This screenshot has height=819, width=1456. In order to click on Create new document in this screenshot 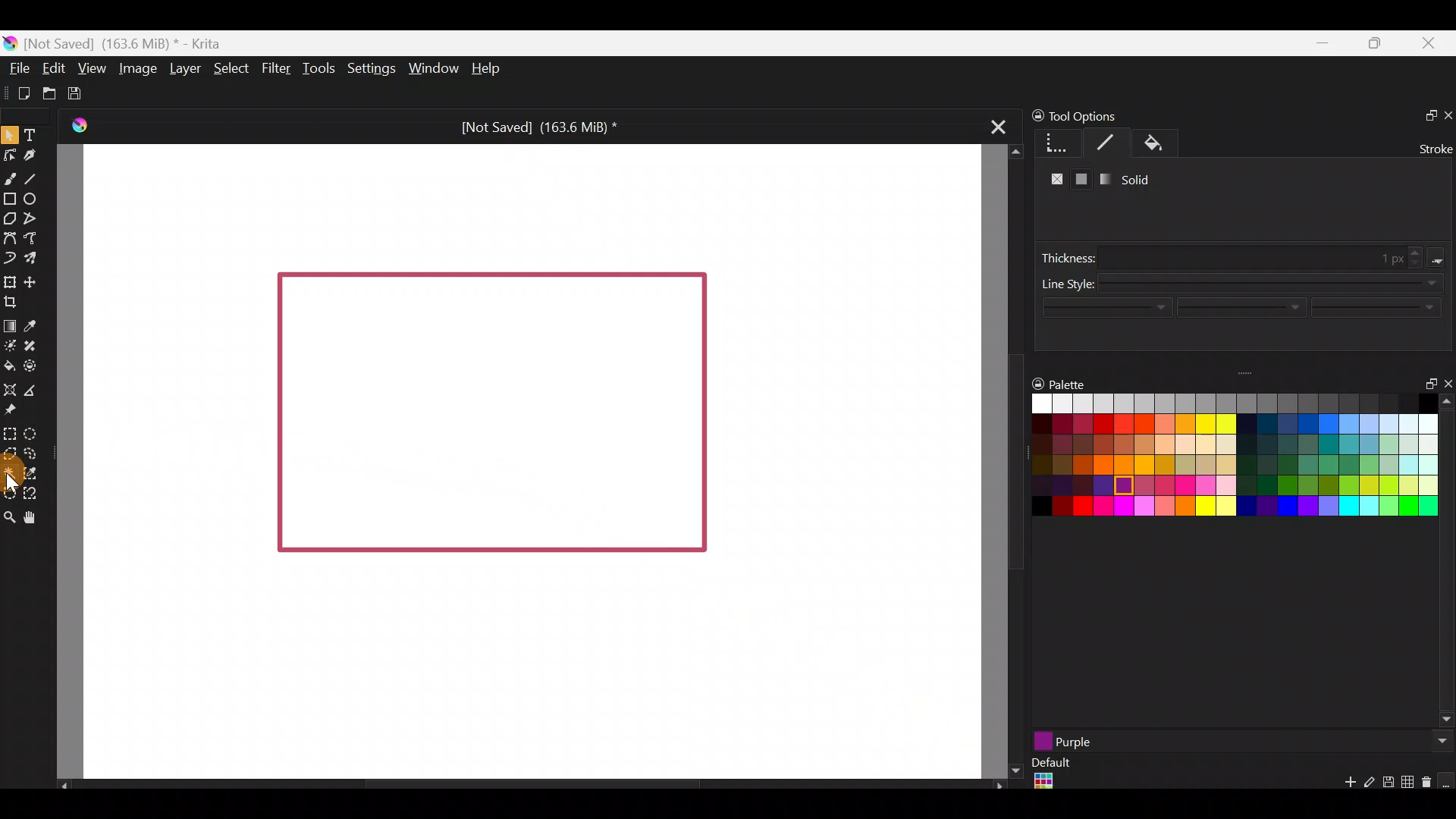, I will do `click(18, 92)`.